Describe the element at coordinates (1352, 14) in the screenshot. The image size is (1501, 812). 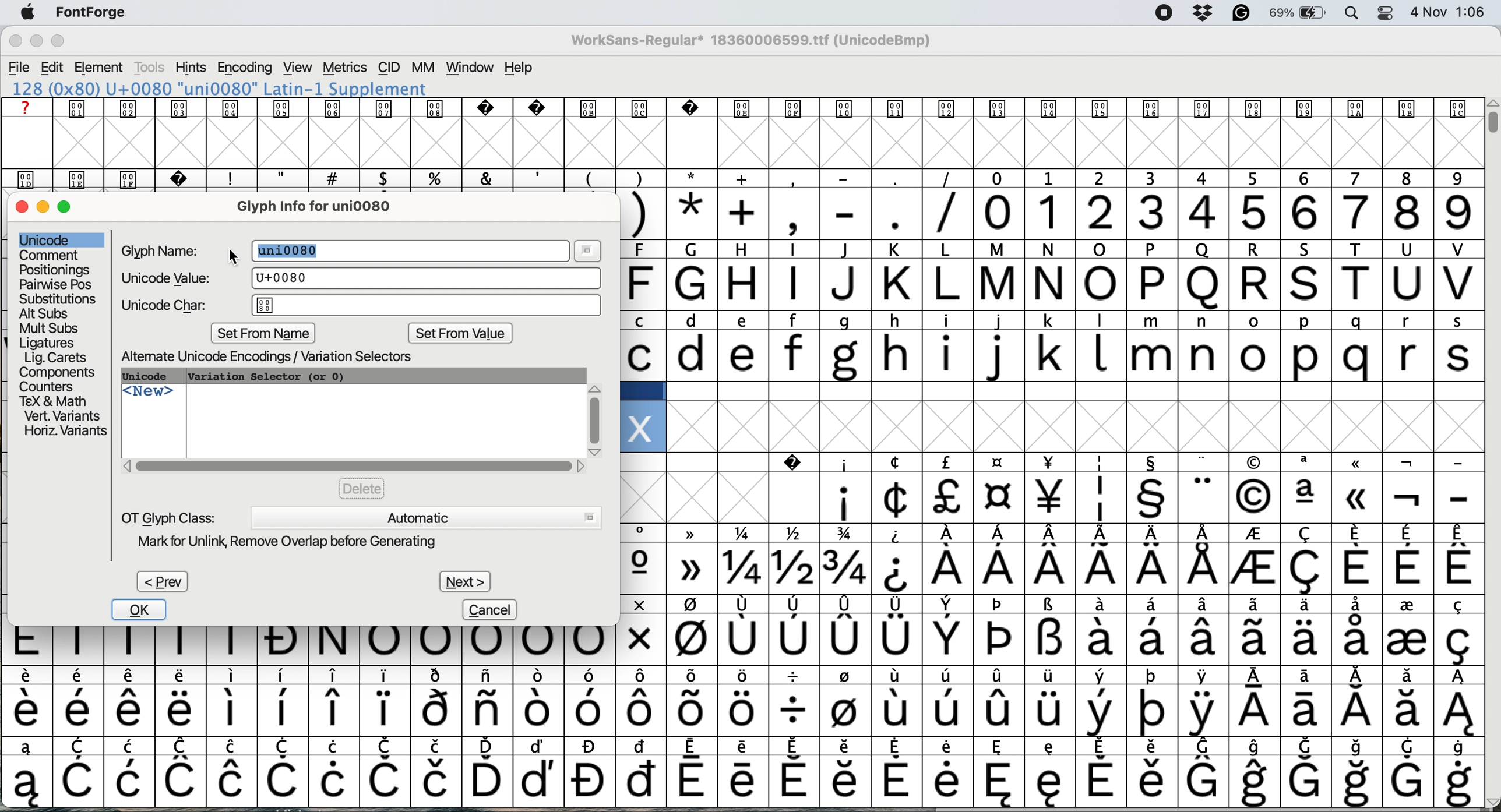
I see `spotlight search` at that location.